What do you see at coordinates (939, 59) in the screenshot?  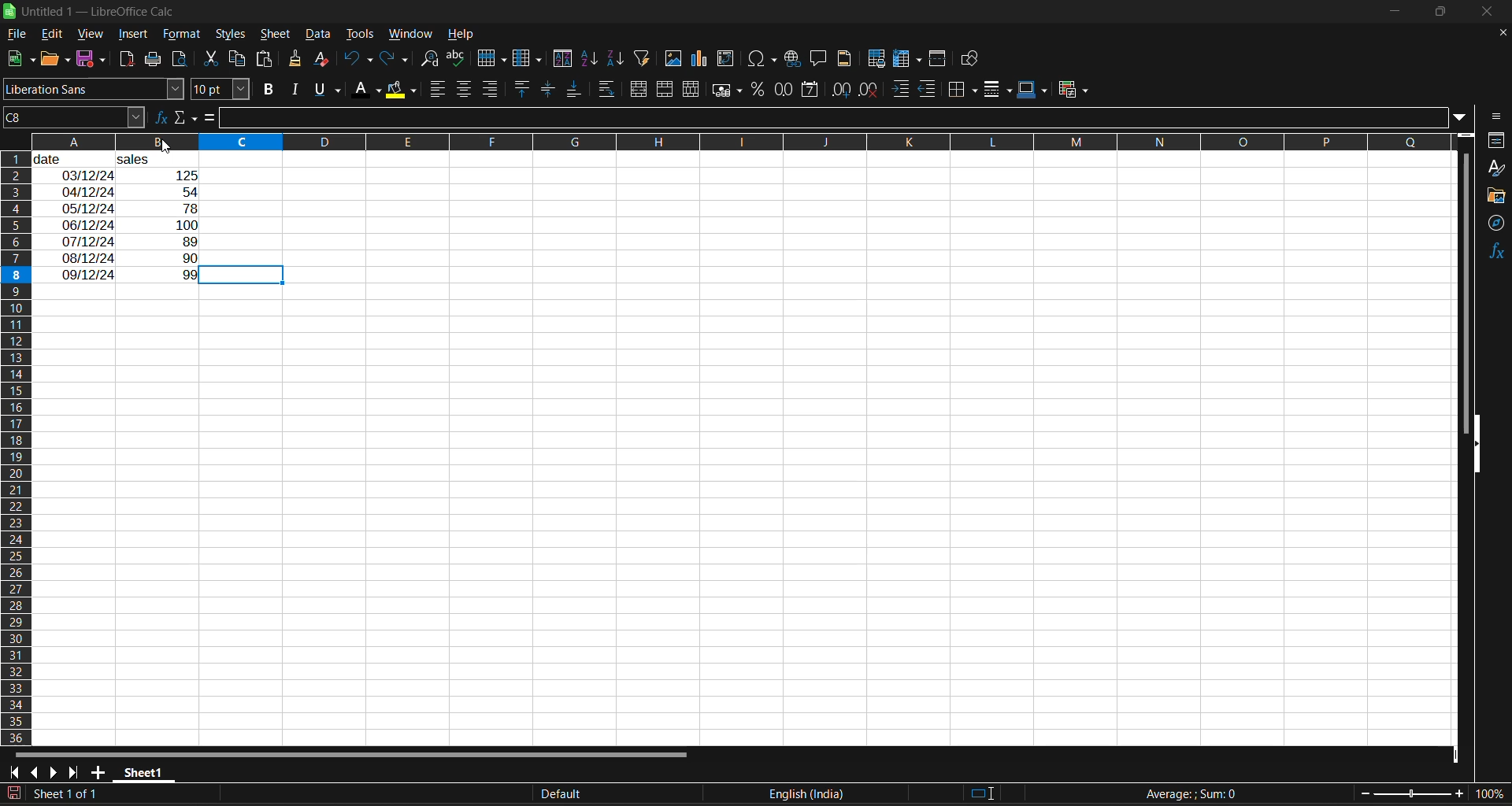 I see `split window` at bounding box center [939, 59].